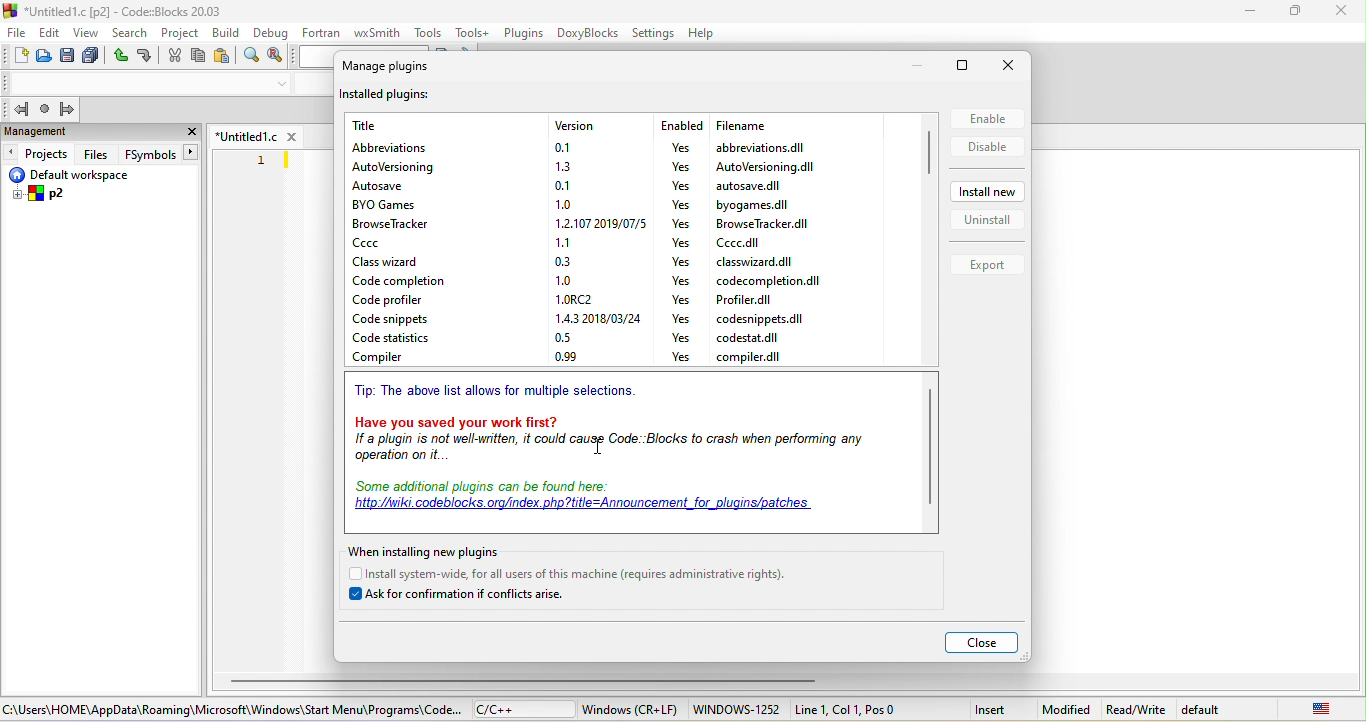 The width and height of the screenshot is (1366, 722). Describe the element at coordinates (675, 149) in the screenshot. I see `Yes` at that location.